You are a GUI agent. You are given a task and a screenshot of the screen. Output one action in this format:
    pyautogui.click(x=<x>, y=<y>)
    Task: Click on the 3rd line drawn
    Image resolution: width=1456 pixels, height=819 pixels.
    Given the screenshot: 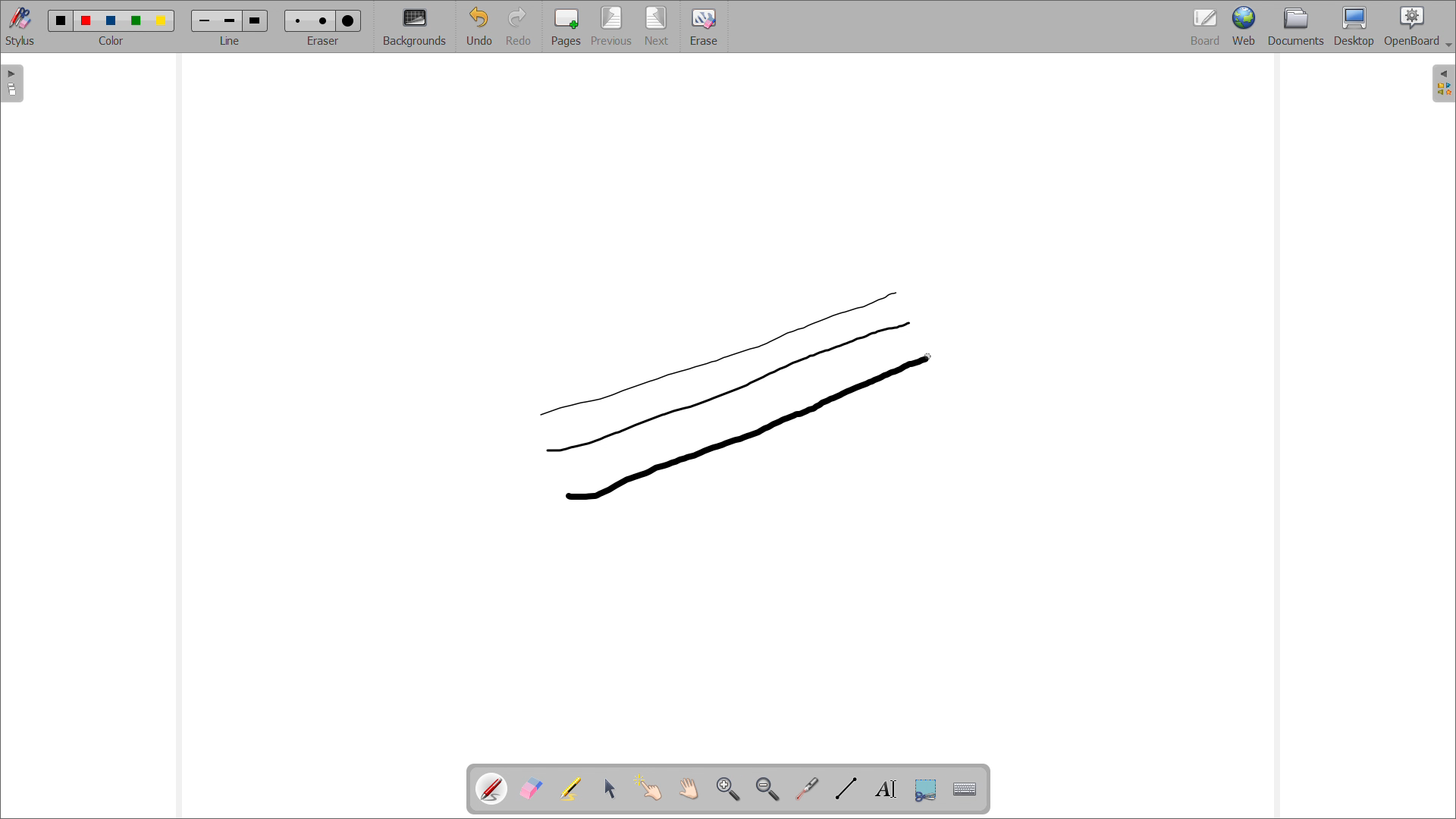 What is the action you would take?
    pyautogui.click(x=734, y=398)
    